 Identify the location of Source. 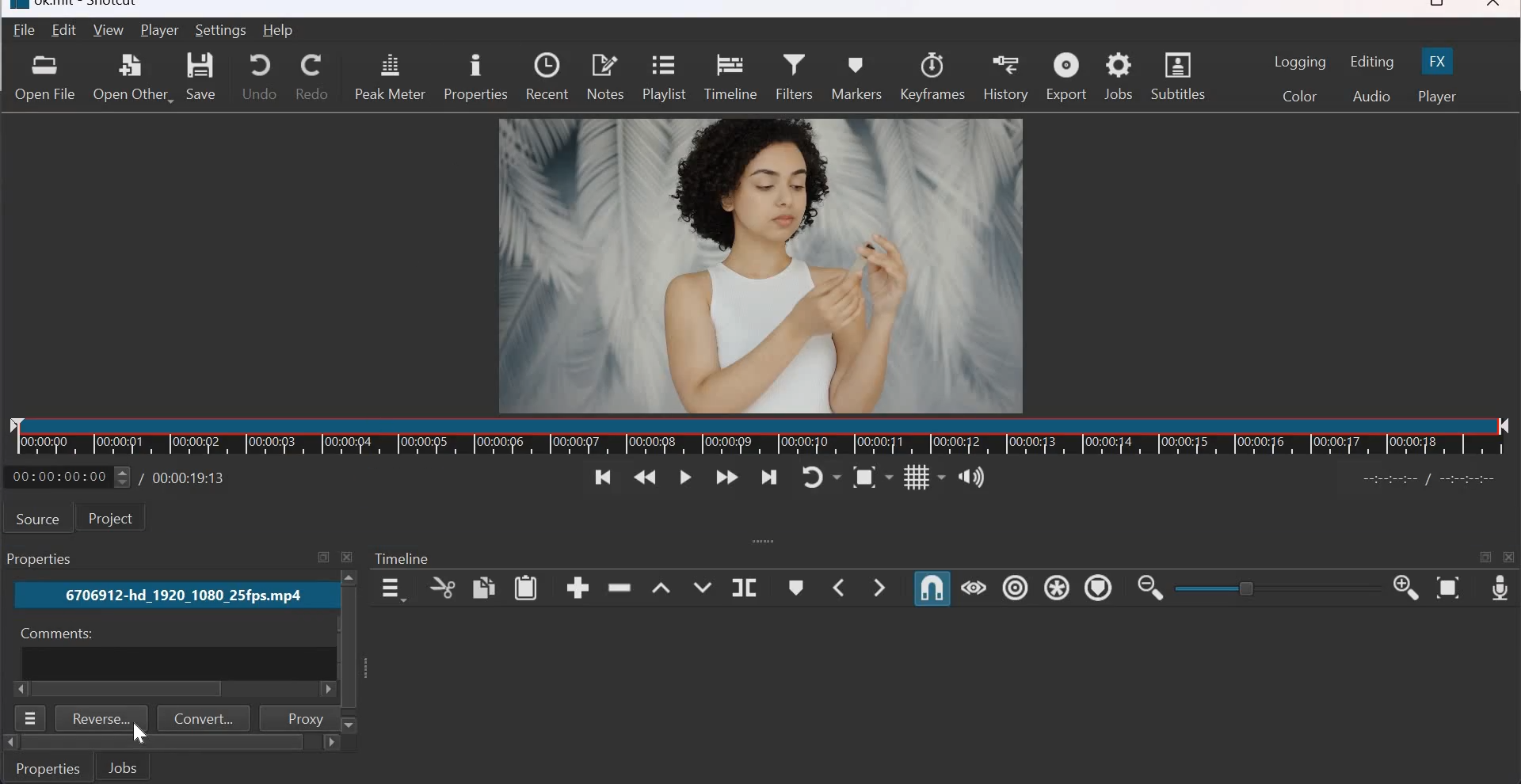
(38, 518).